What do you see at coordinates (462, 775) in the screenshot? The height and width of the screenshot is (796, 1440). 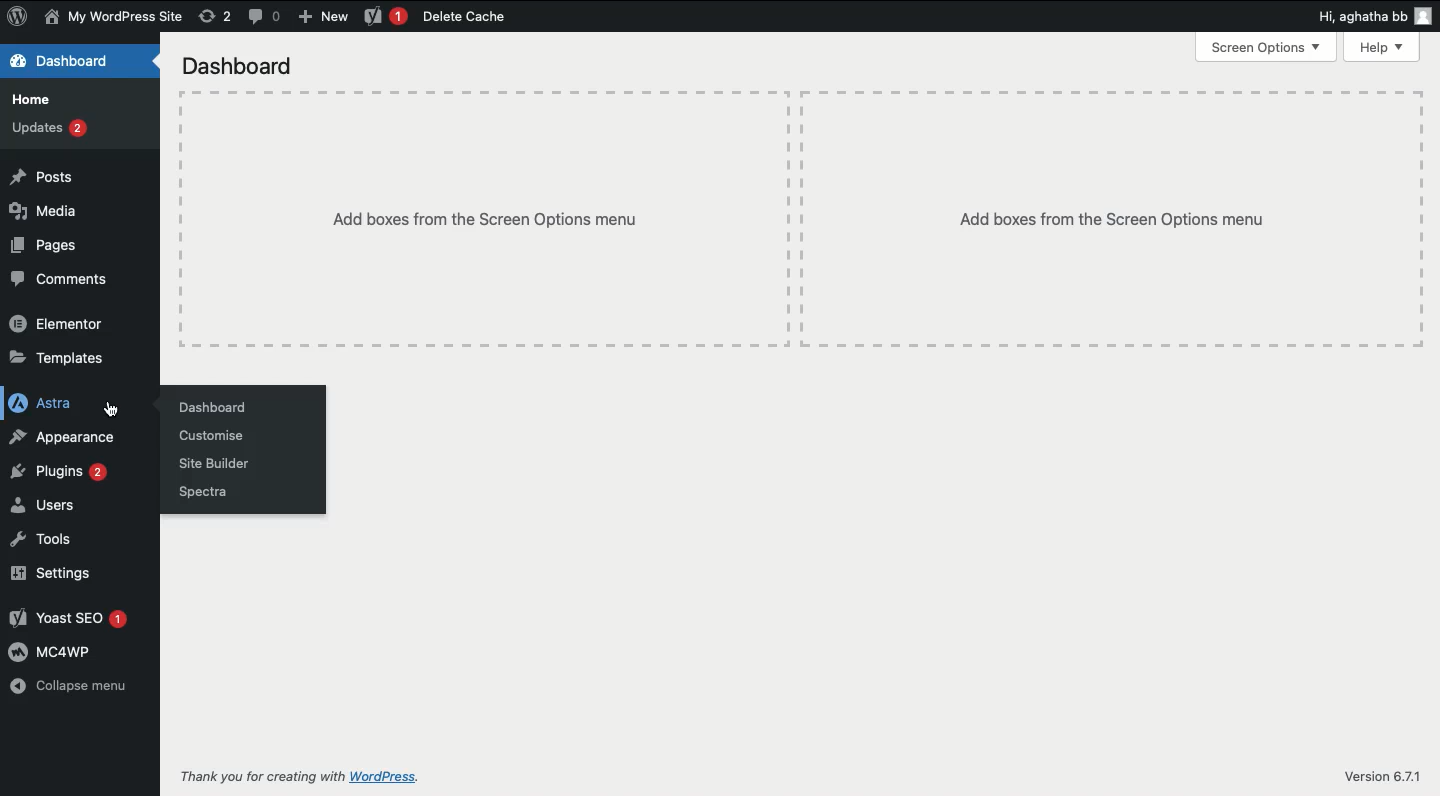 I see `WordPress` at bounding box center [462, 775].